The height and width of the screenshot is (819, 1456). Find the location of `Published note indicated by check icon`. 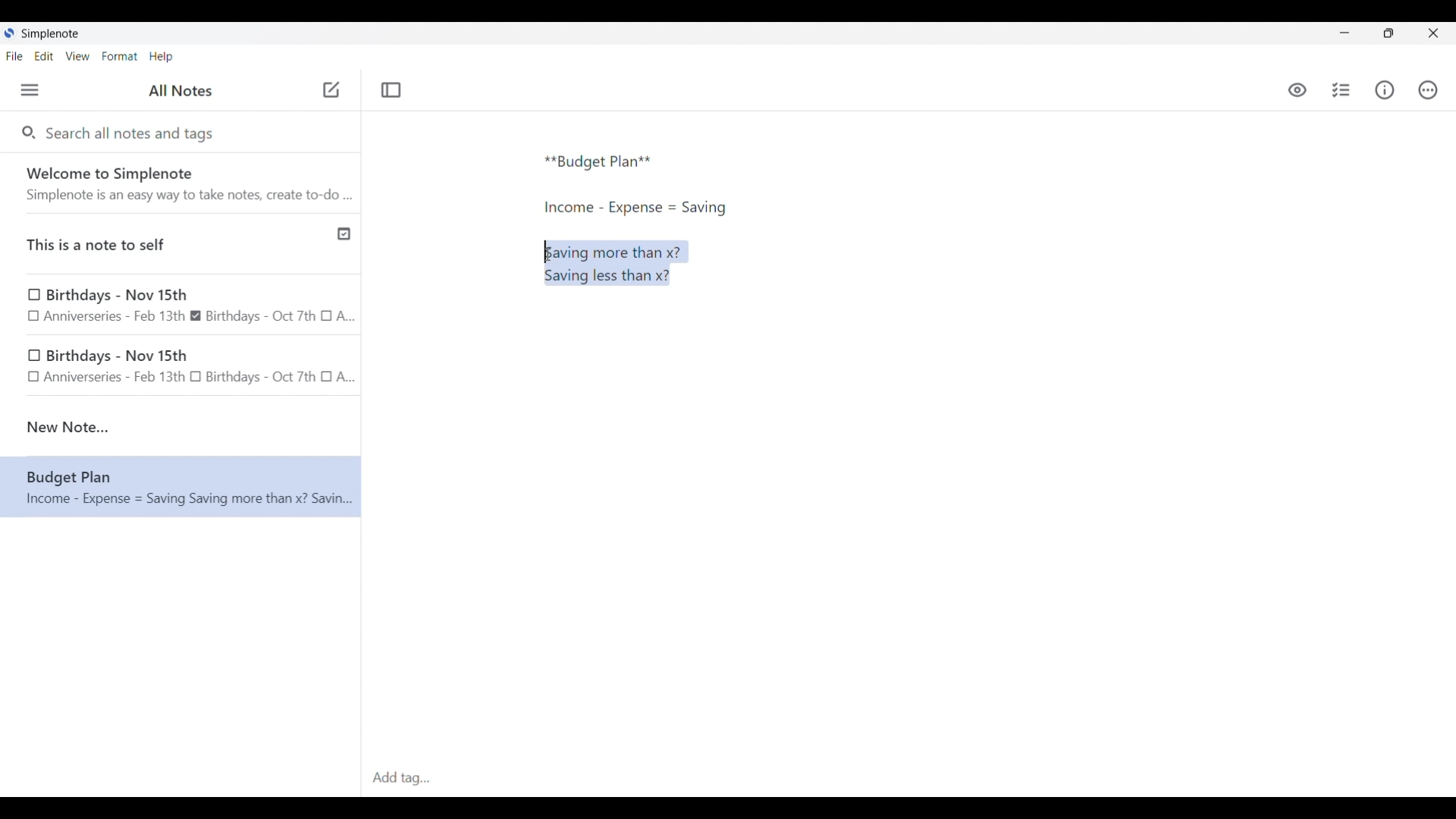

Published note indicated by check icon is located at coordinates (182, 244).